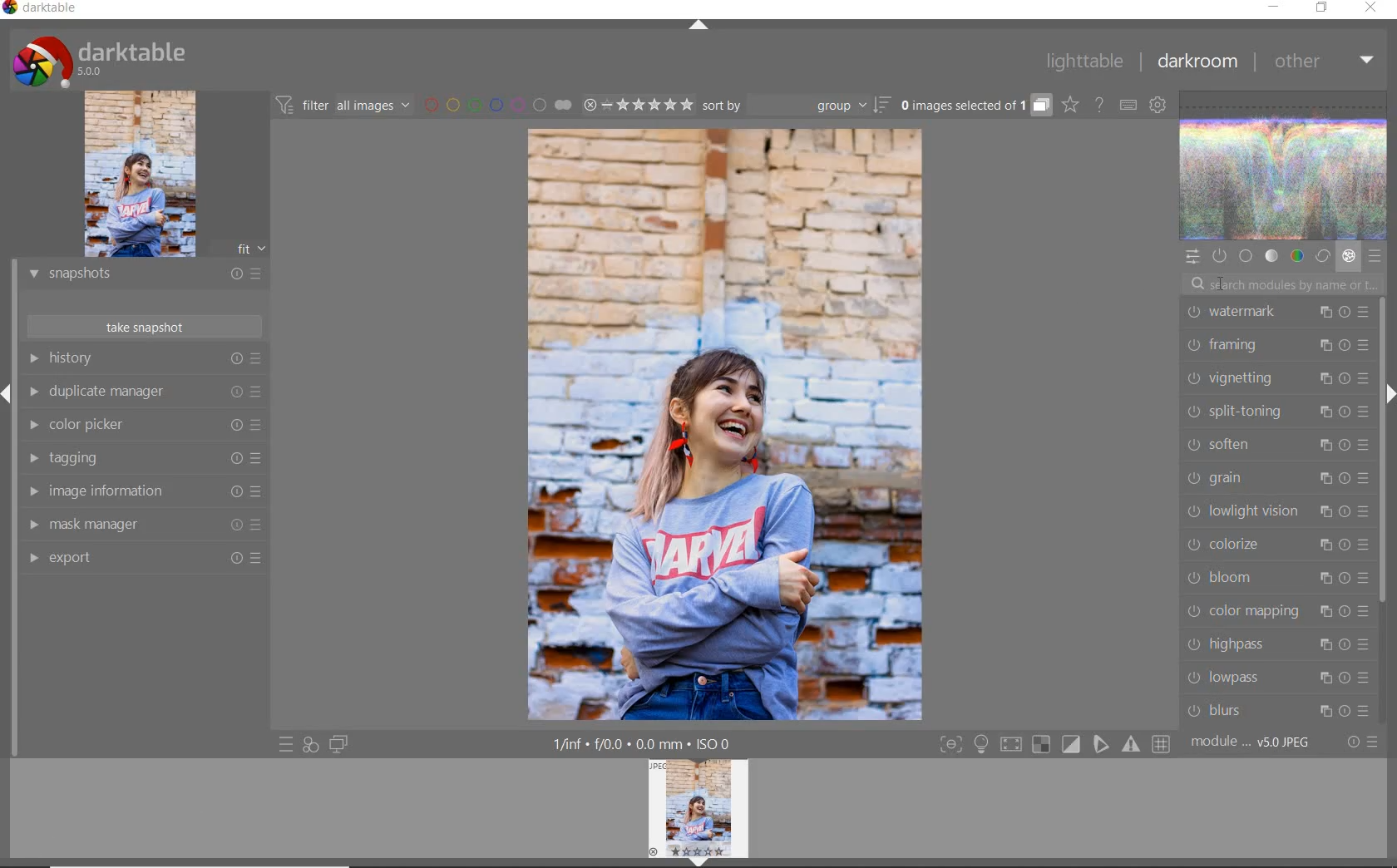 The image size is (1397, 868). I want to click on lowpass, so click(1279, 677).